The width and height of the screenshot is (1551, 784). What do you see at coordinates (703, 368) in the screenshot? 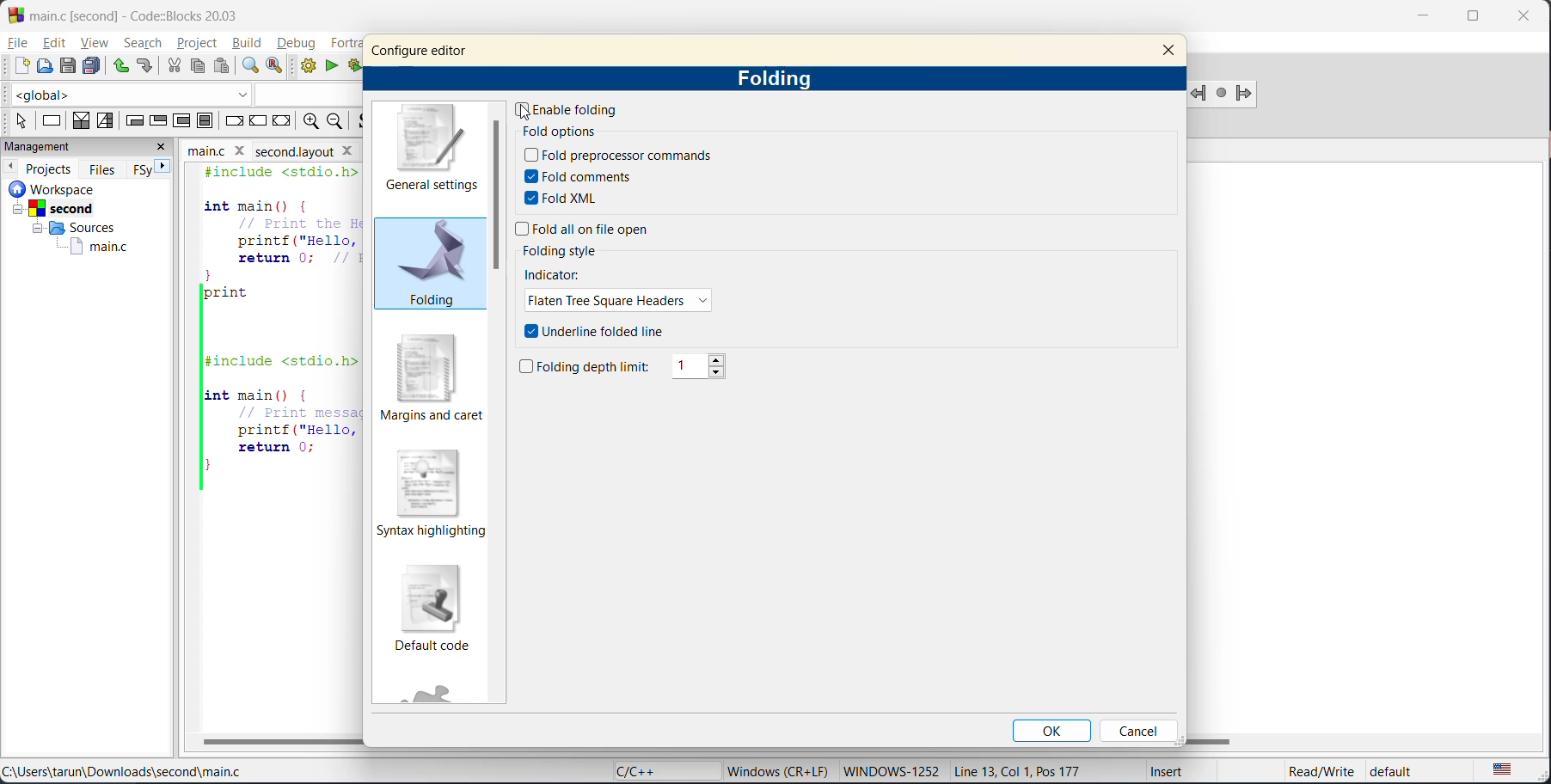
I see `1` at bounding box center [703, 368].